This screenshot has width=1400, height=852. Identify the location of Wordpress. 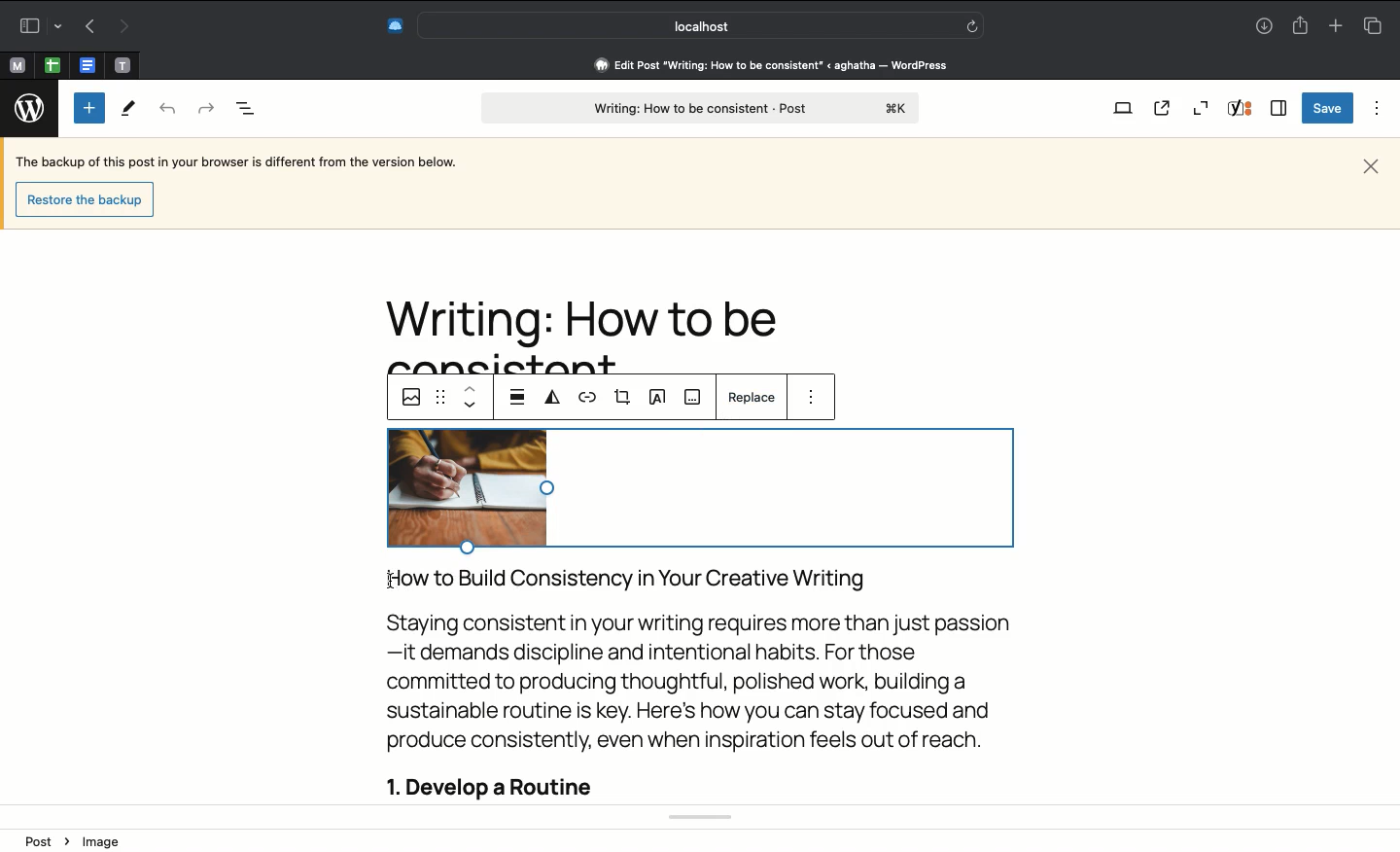
(33, 107).